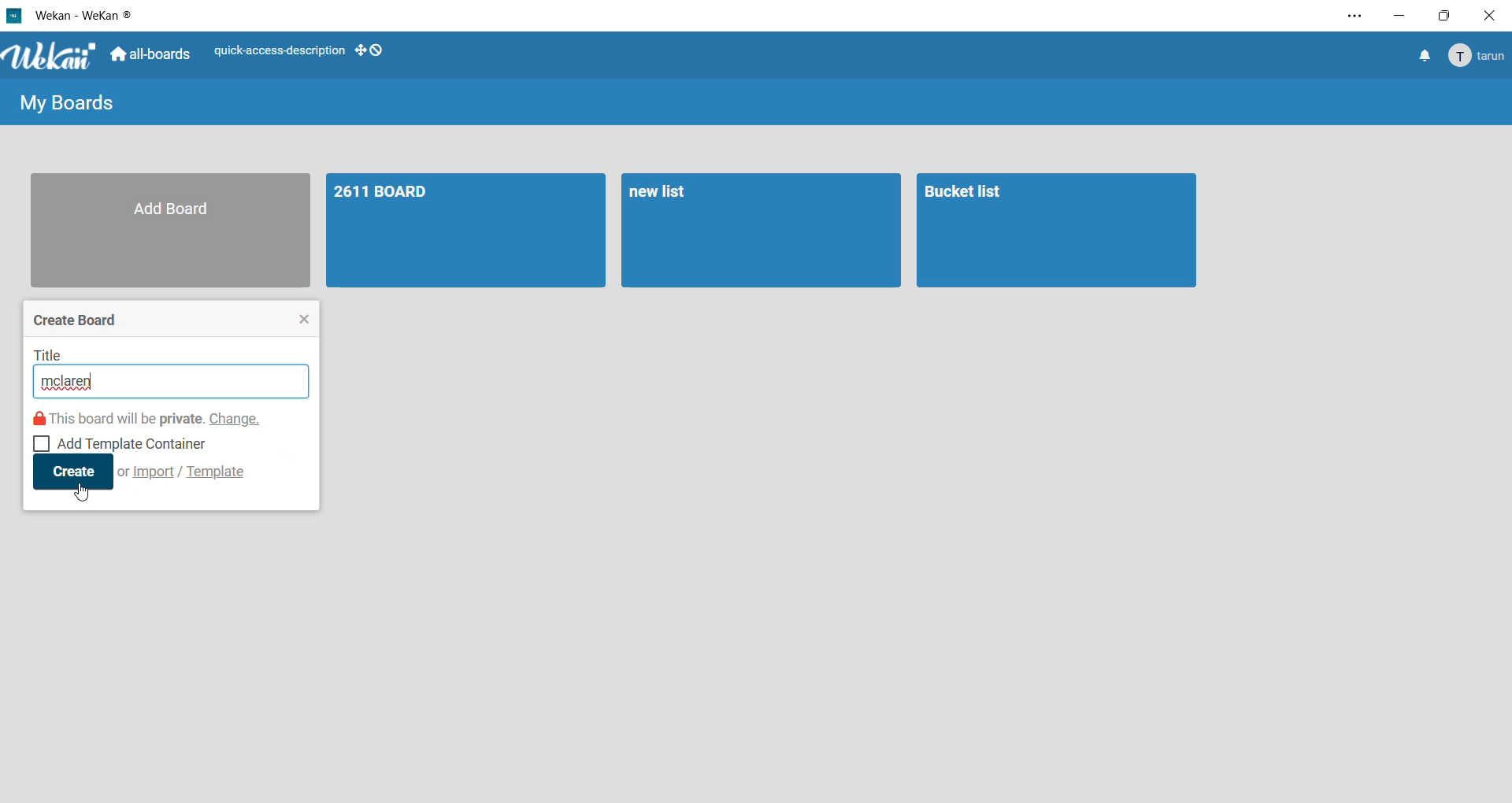 Image resolution: width=1512 pixels, height=803 pixels. What do you see at coordinates (154, 55) in the screenshot?
I see `all boards` at bounding box center [154, 55].